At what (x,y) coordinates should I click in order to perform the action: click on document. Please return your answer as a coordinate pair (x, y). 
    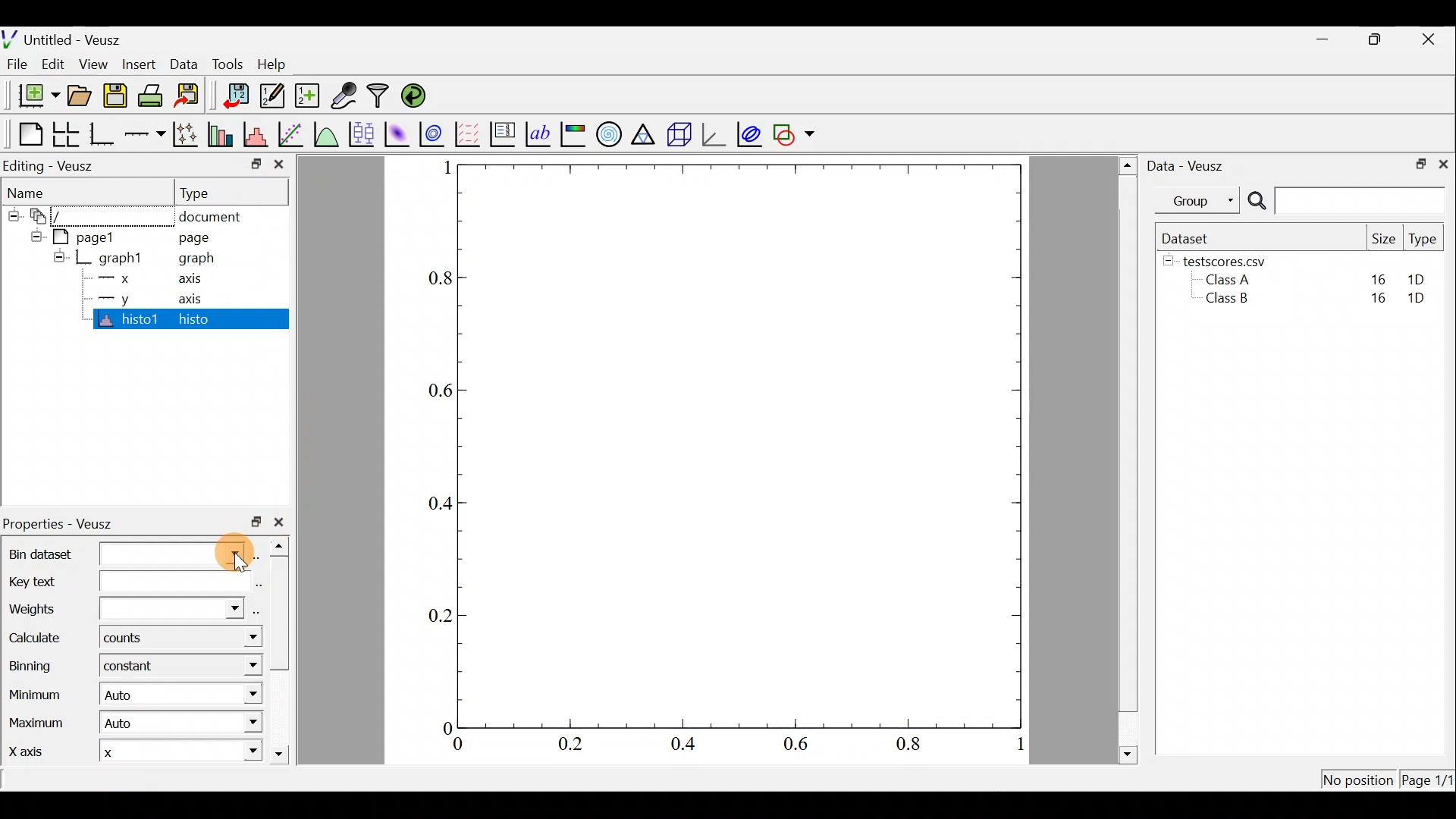
    Looking at the image, I should click on (218, 217).